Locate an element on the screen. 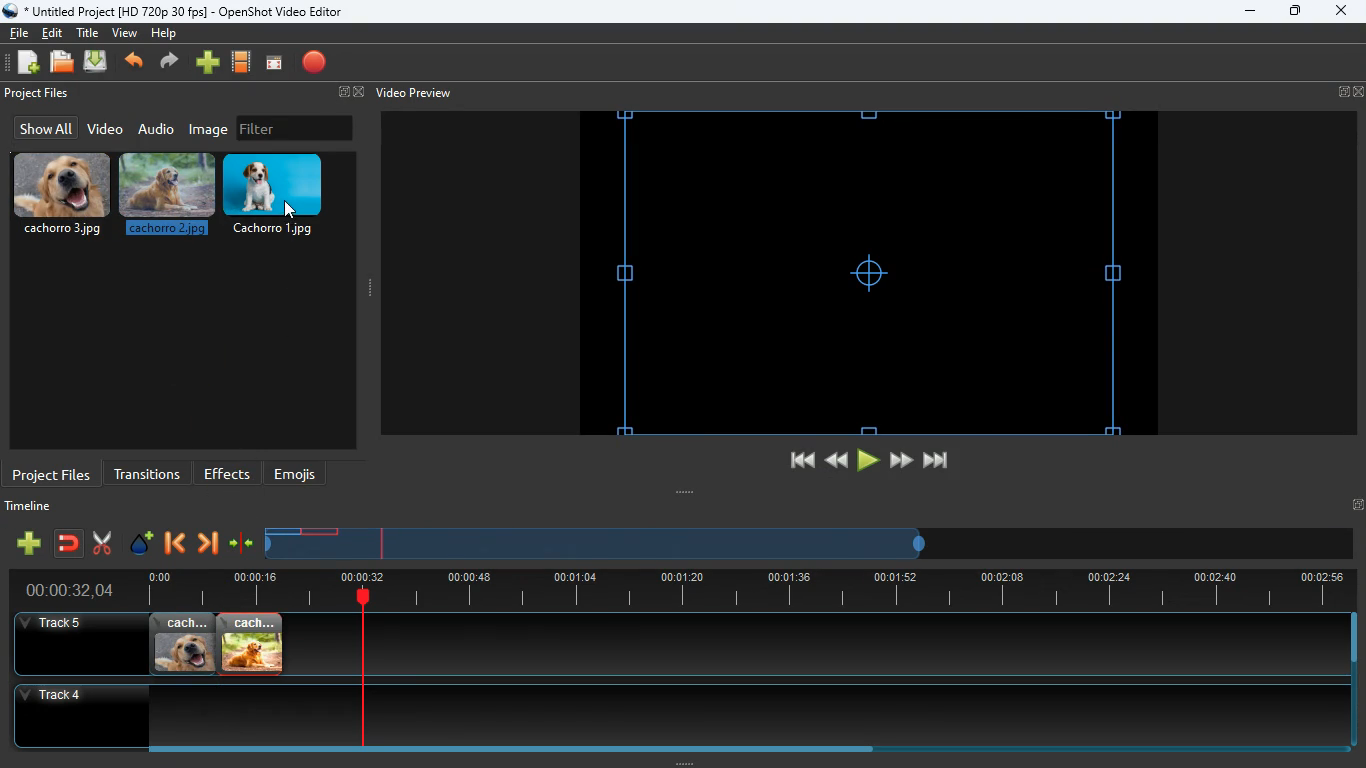  project files is located at coordinates (52, 473).